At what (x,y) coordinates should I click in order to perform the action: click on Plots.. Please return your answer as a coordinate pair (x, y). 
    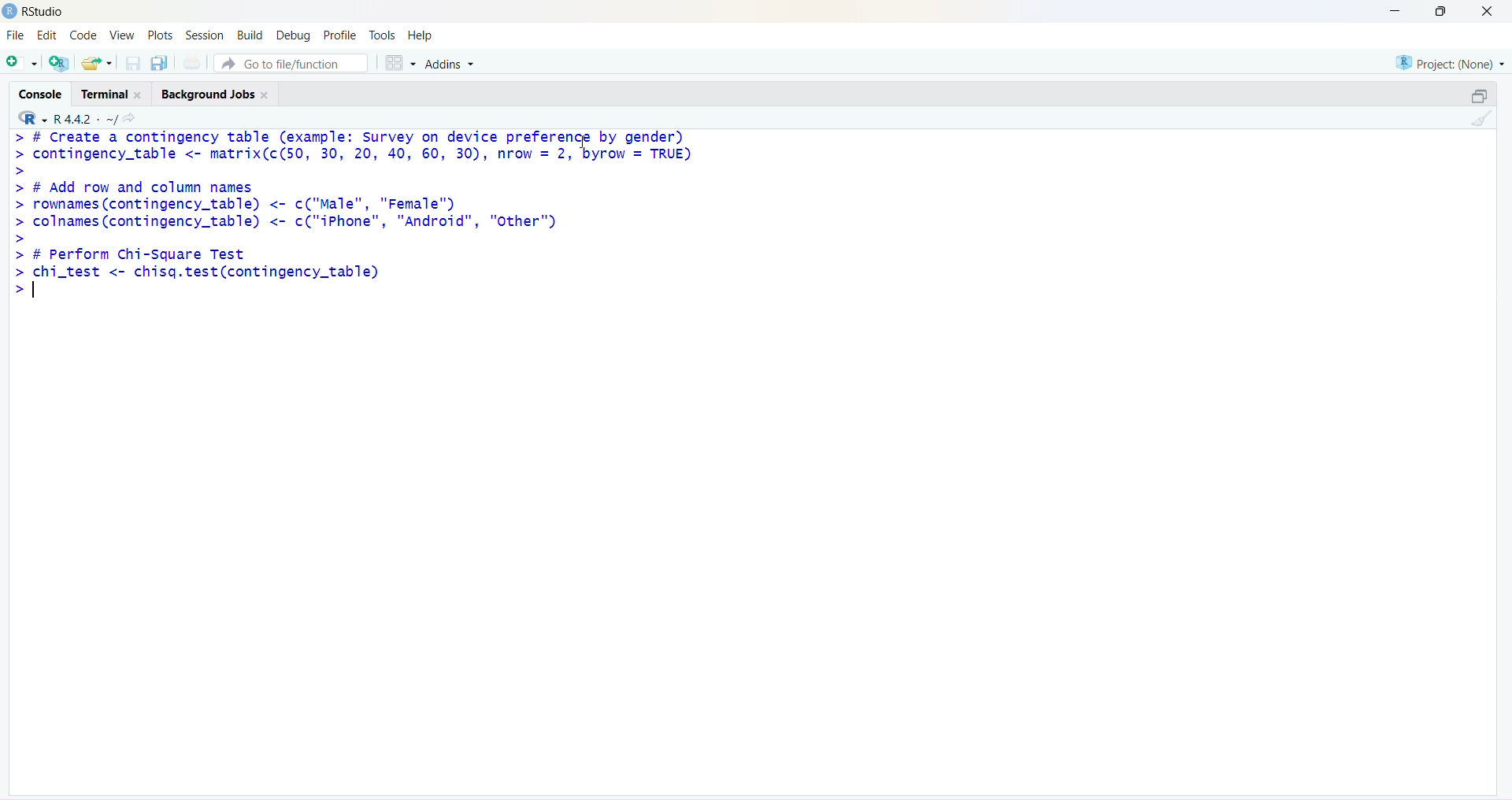
    Looking at the image, I should click on (161, 35).